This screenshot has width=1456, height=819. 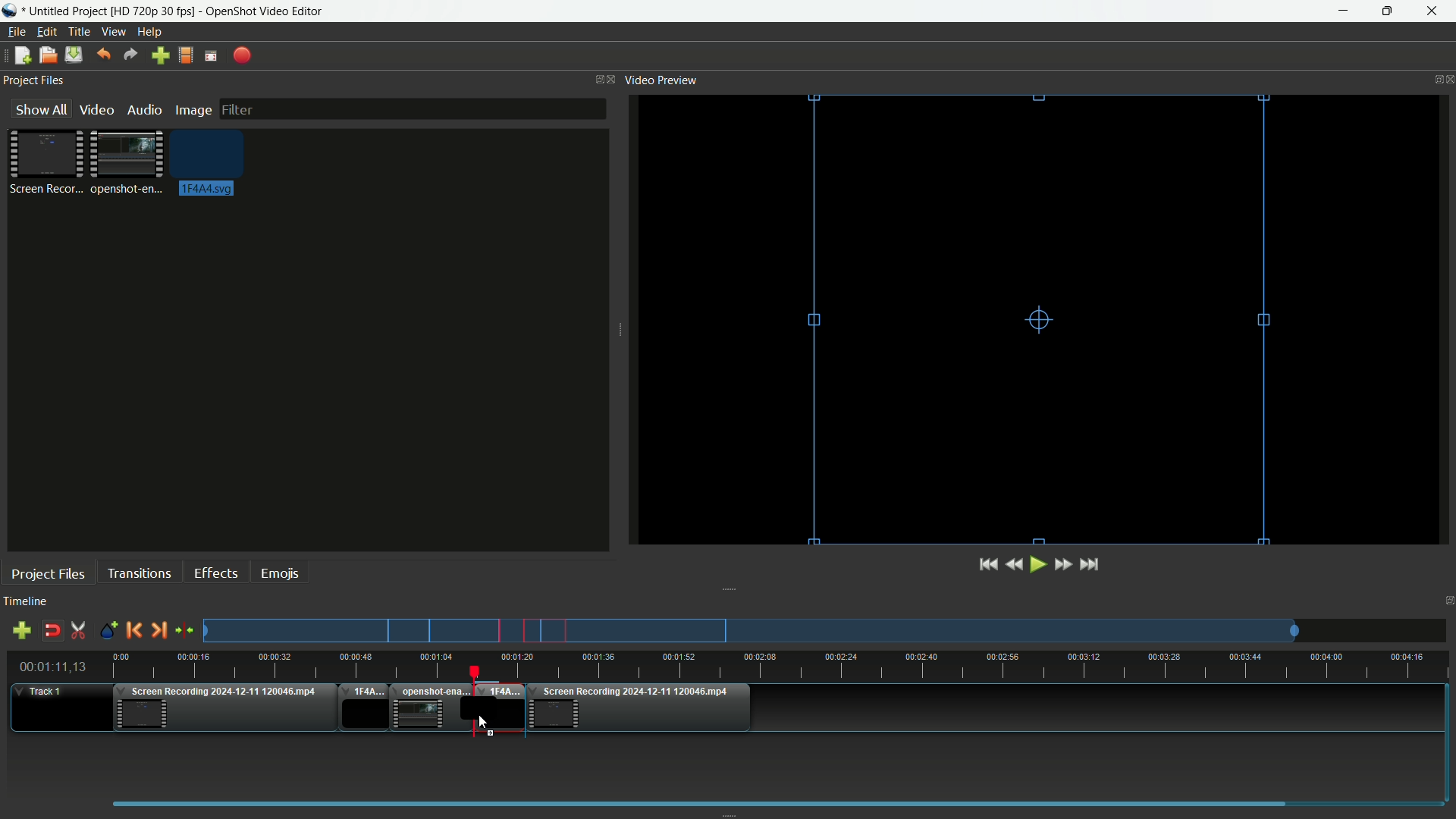 I want to click on Import, so click(x=162, y=57).